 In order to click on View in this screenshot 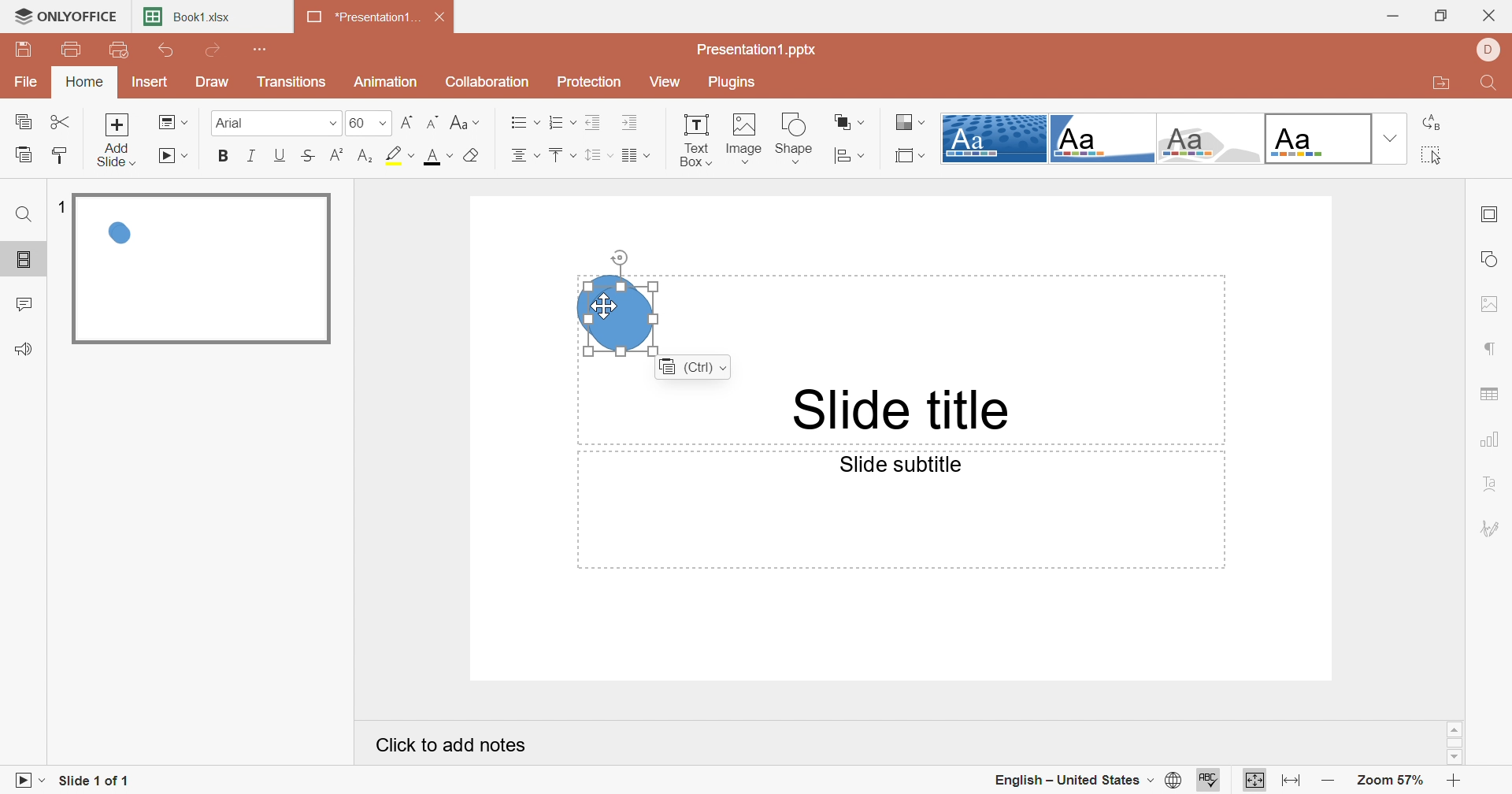, I will do `click(672, 83)`.